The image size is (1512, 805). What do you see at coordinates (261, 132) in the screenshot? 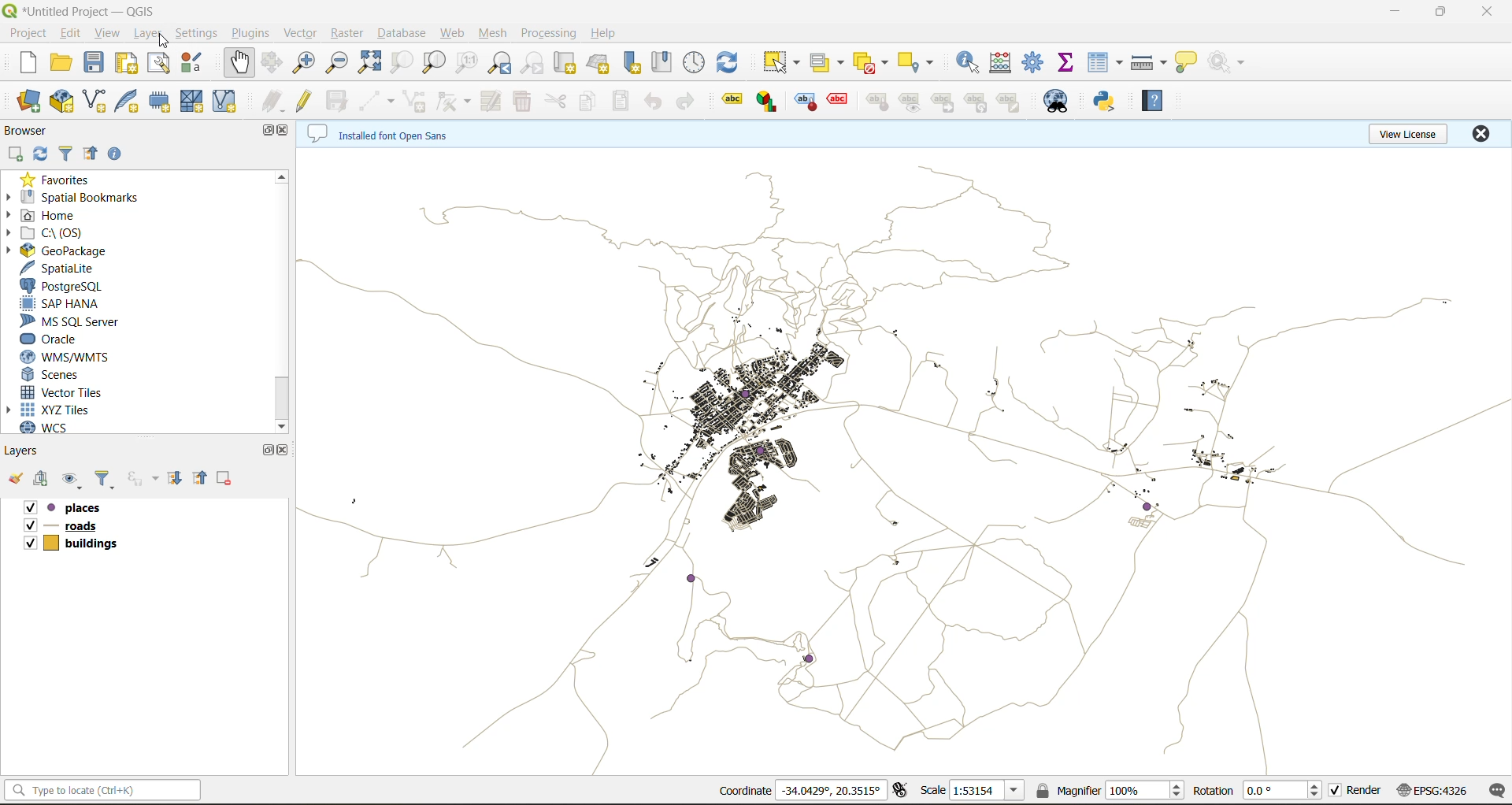
I see `maximize` at bounding box center [261, 132].